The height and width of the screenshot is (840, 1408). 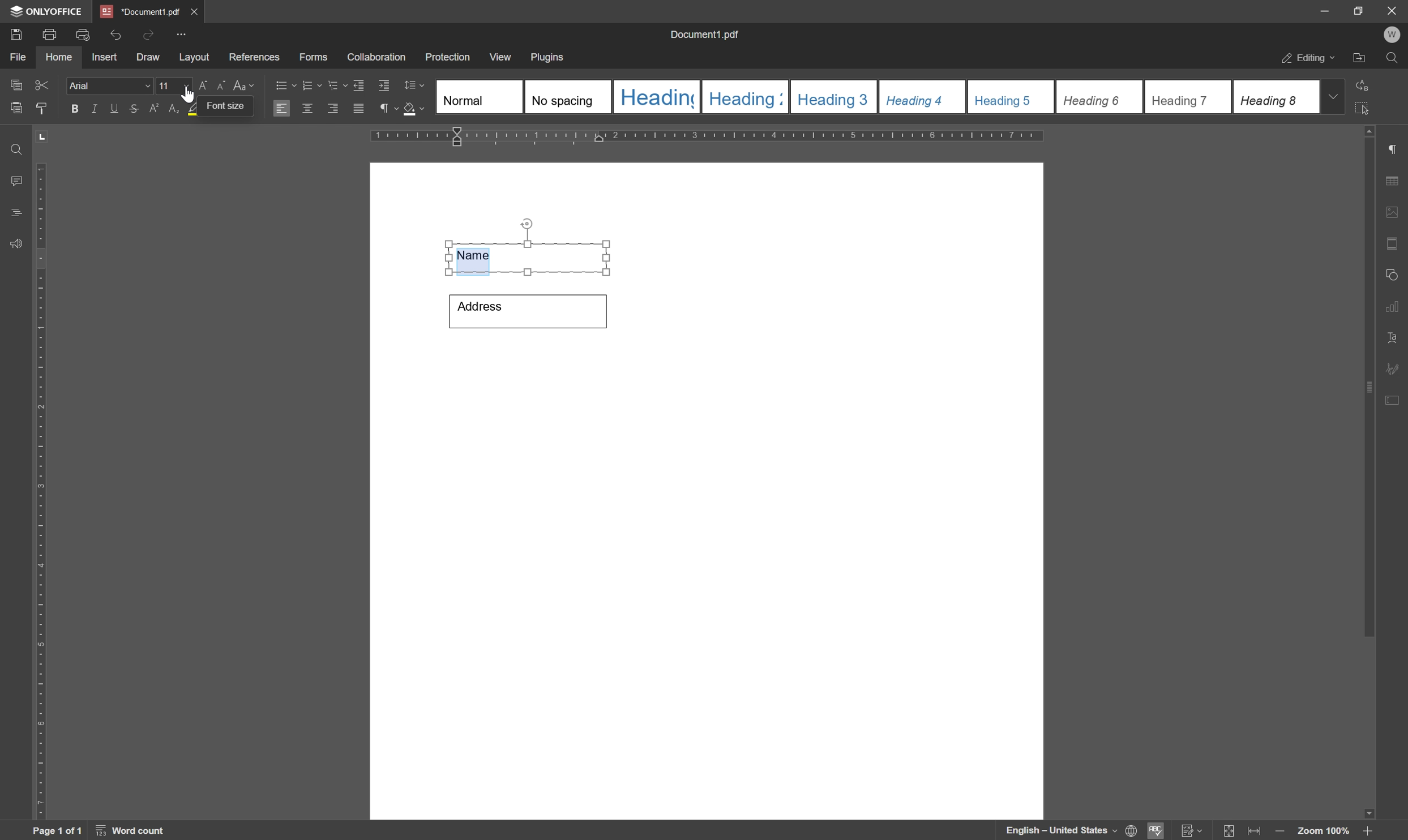 What do you see at coordinates (15, 83) in the screenshot?
I see `copy` at bounding box center [15, 83].